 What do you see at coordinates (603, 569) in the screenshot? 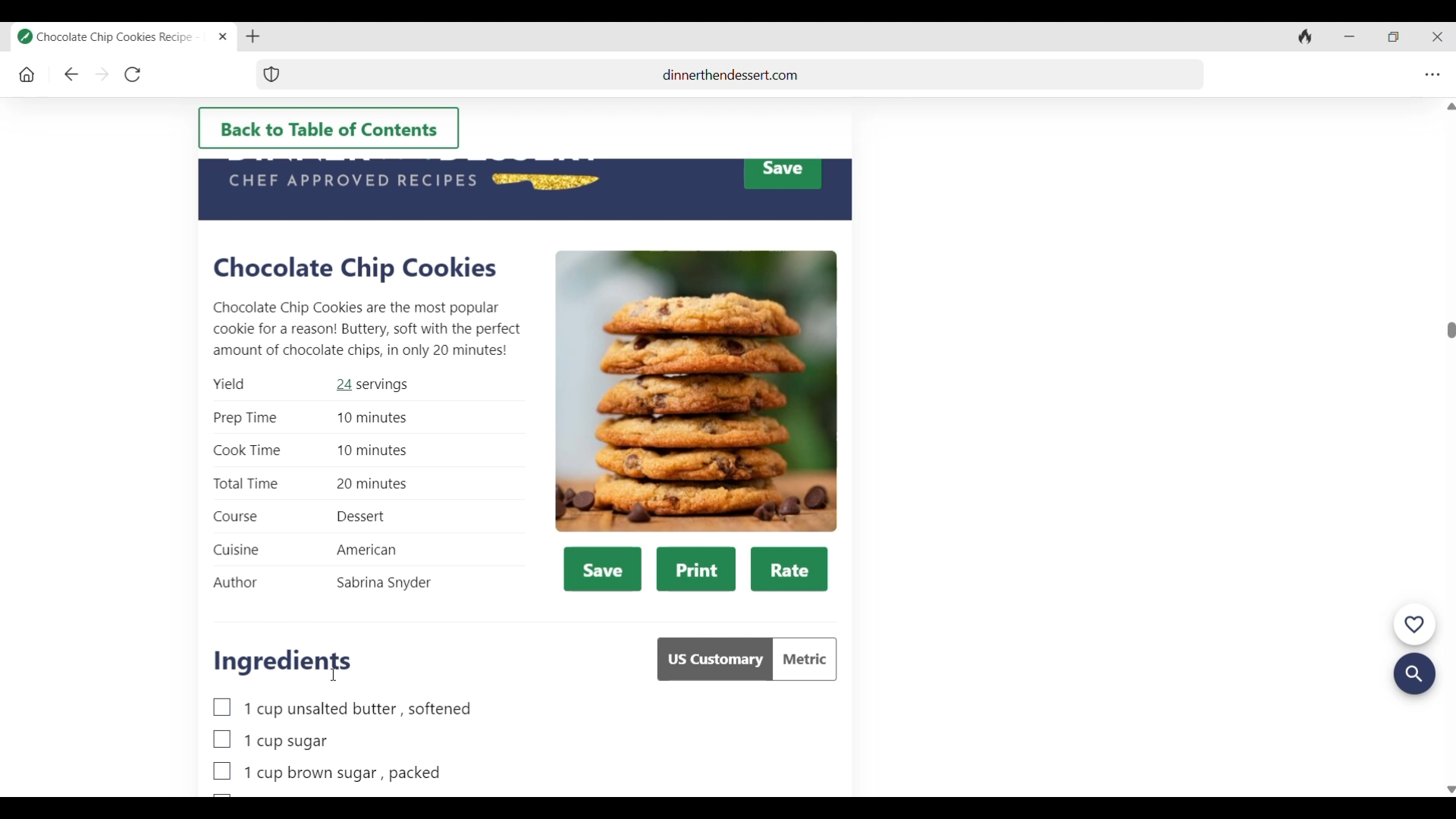
I see `Save recipe` at bounding box center [603, 569].